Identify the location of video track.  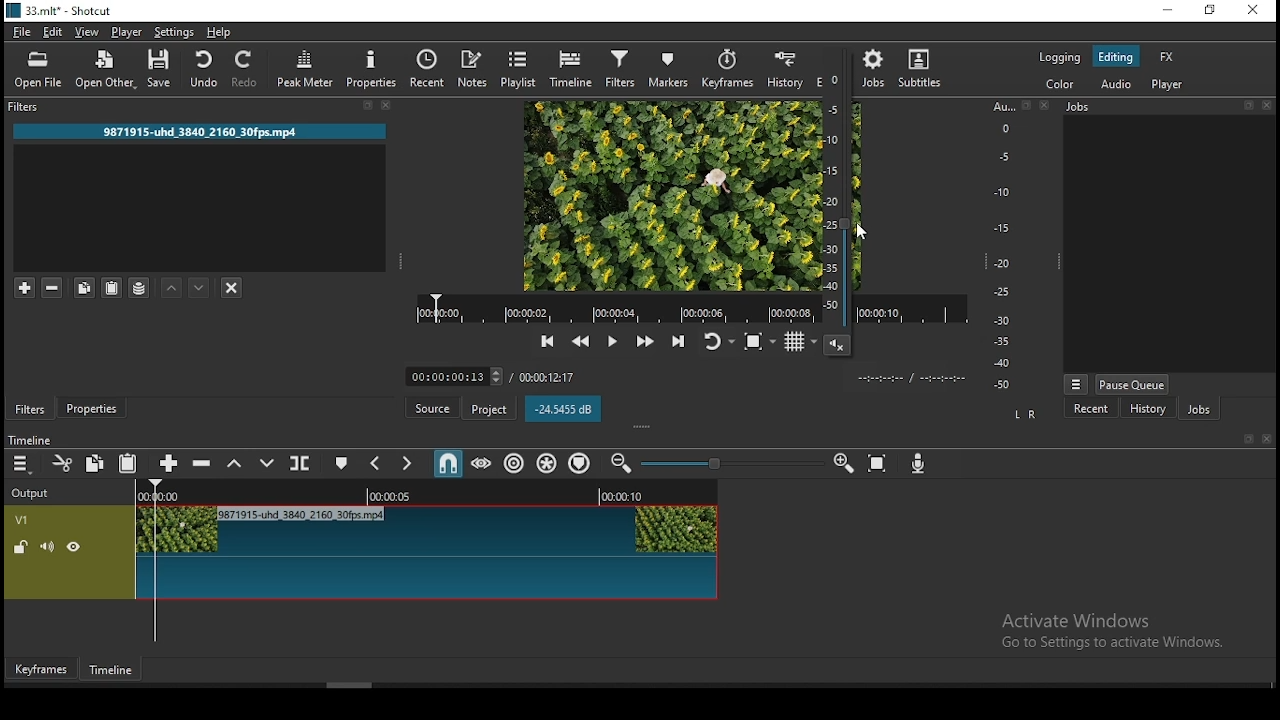
(424, 554).